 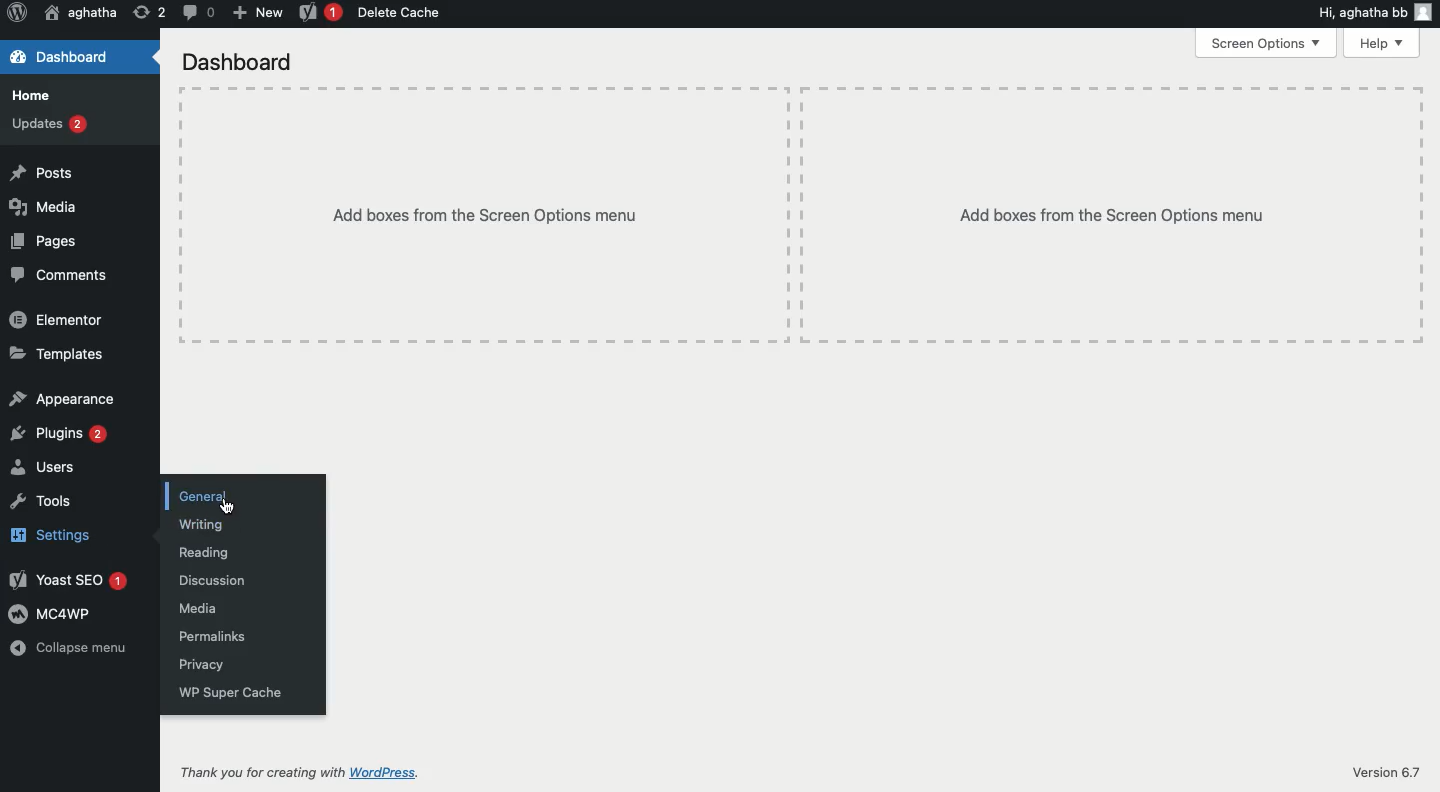 I want to click on Table line, so click(x=803, y=339).